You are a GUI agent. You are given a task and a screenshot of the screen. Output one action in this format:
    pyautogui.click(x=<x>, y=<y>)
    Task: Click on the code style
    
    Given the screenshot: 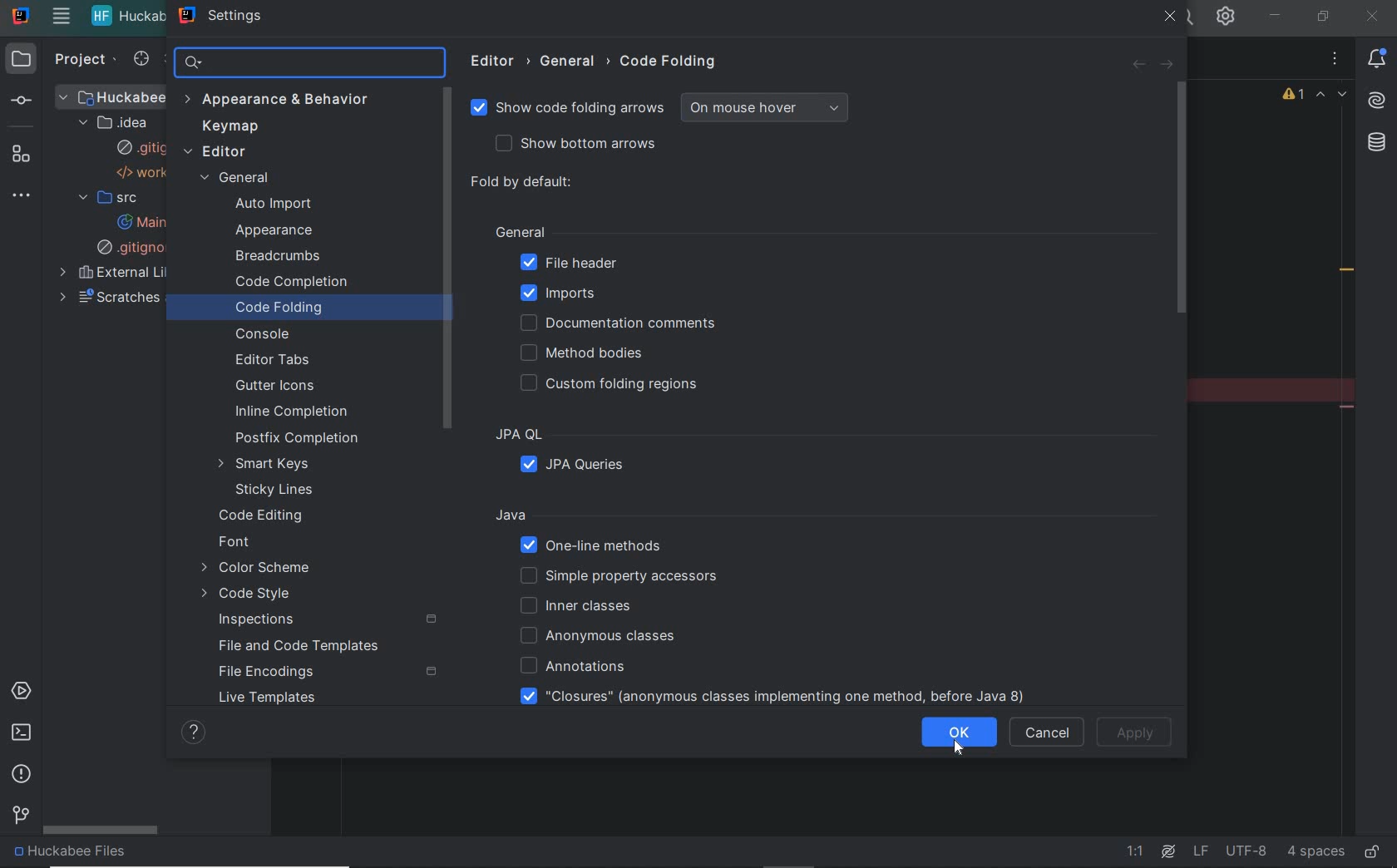 What is the action you would take?
    pyautogui.click(x=249, y=594)
    